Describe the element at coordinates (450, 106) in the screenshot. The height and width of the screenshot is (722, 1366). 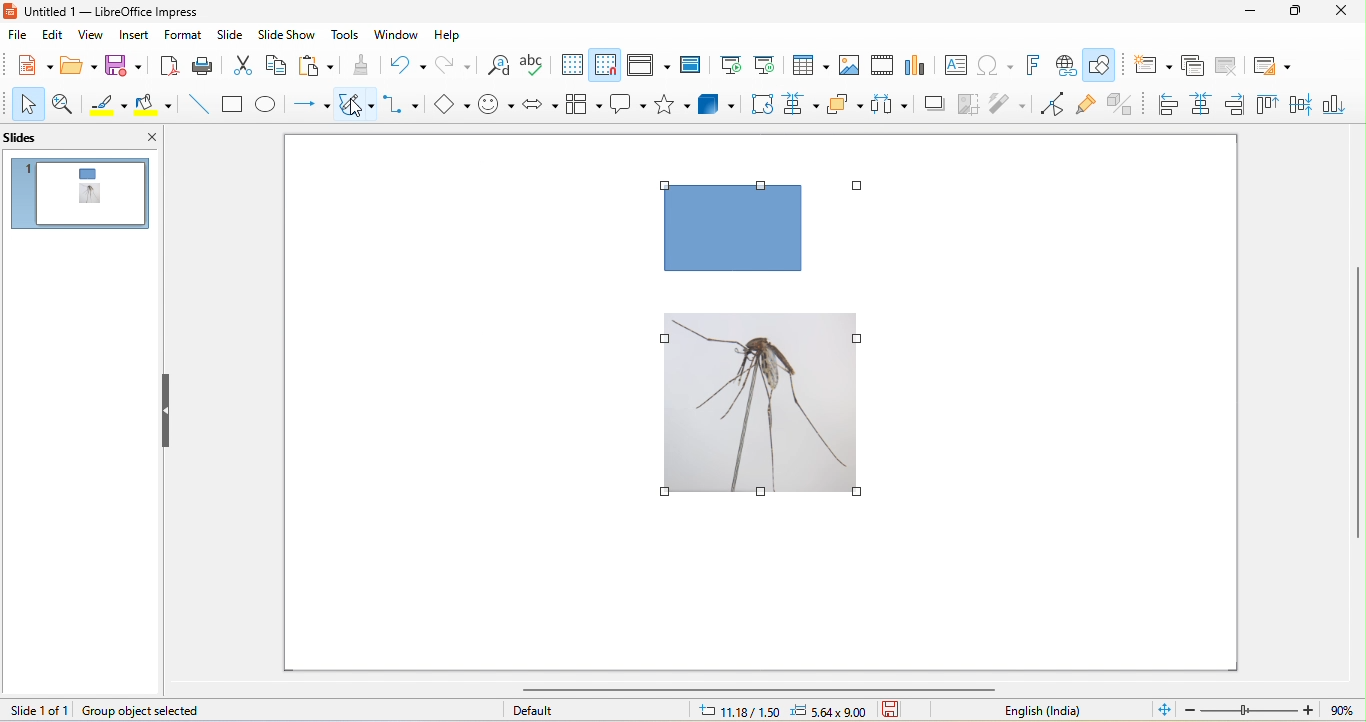
I see `basic shapes` at that location.